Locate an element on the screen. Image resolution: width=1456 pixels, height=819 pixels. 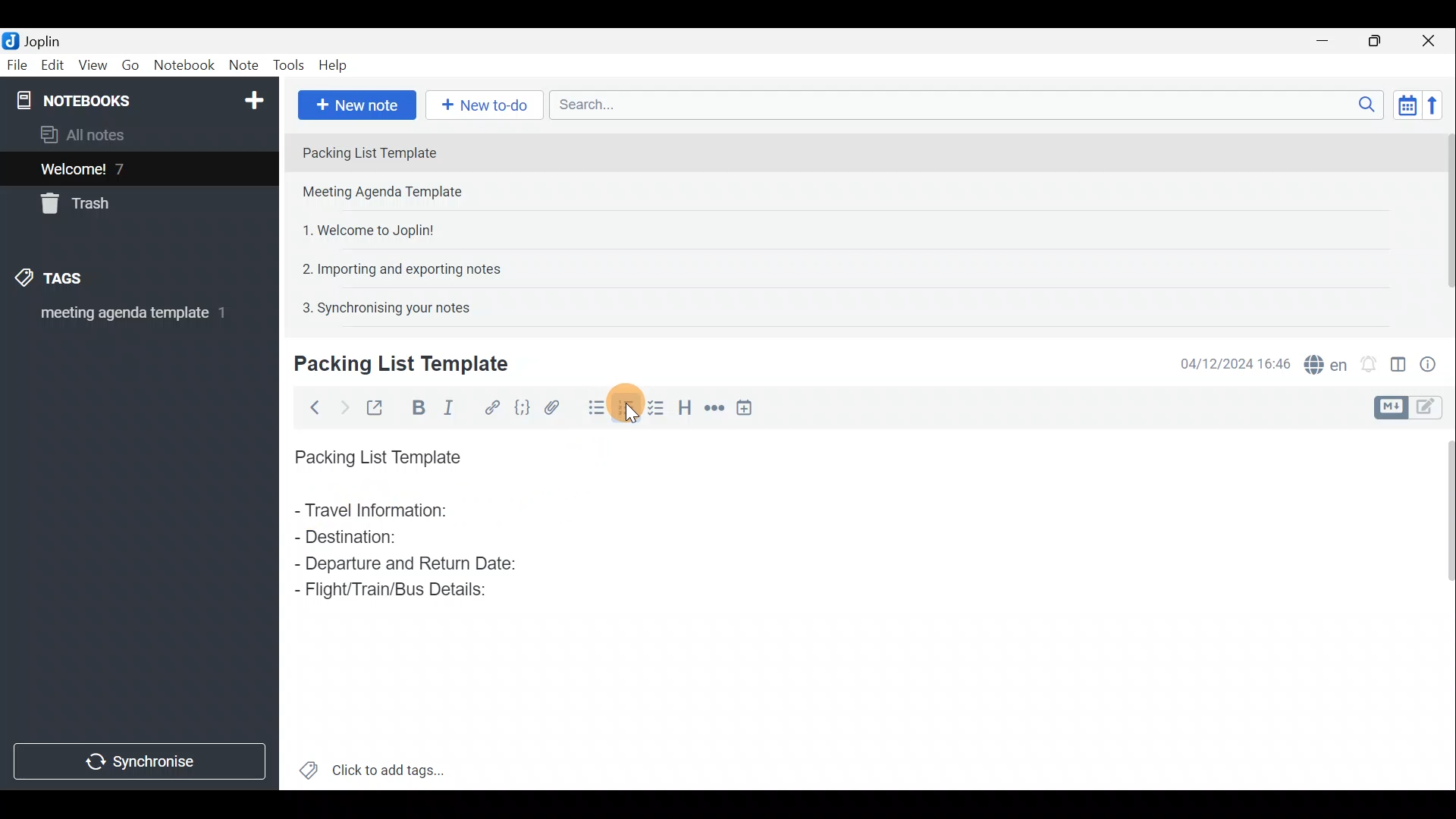
Help is located at coordinates (335, 67).